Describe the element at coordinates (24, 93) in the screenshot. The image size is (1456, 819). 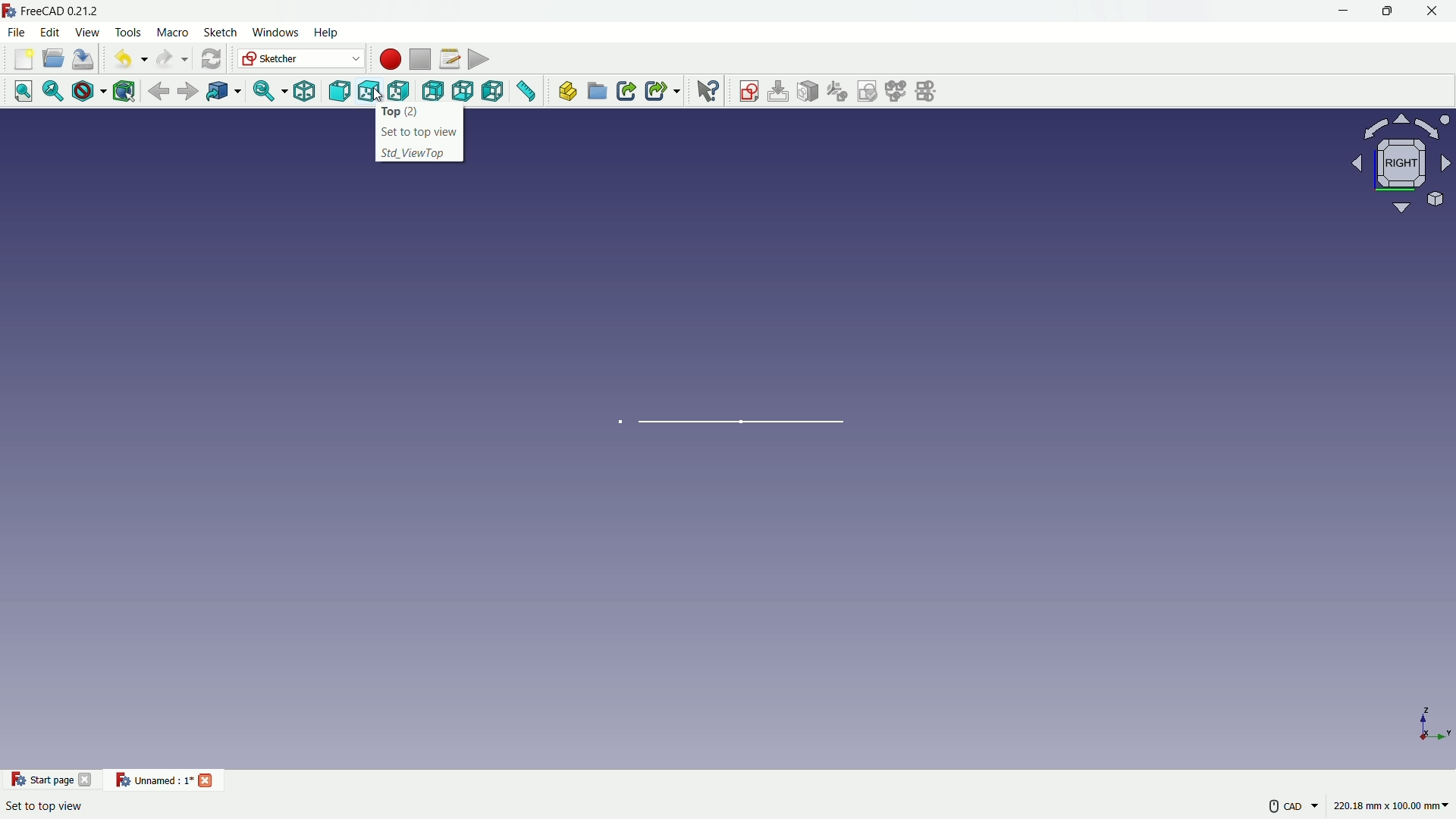
I see `fit all` at that location.